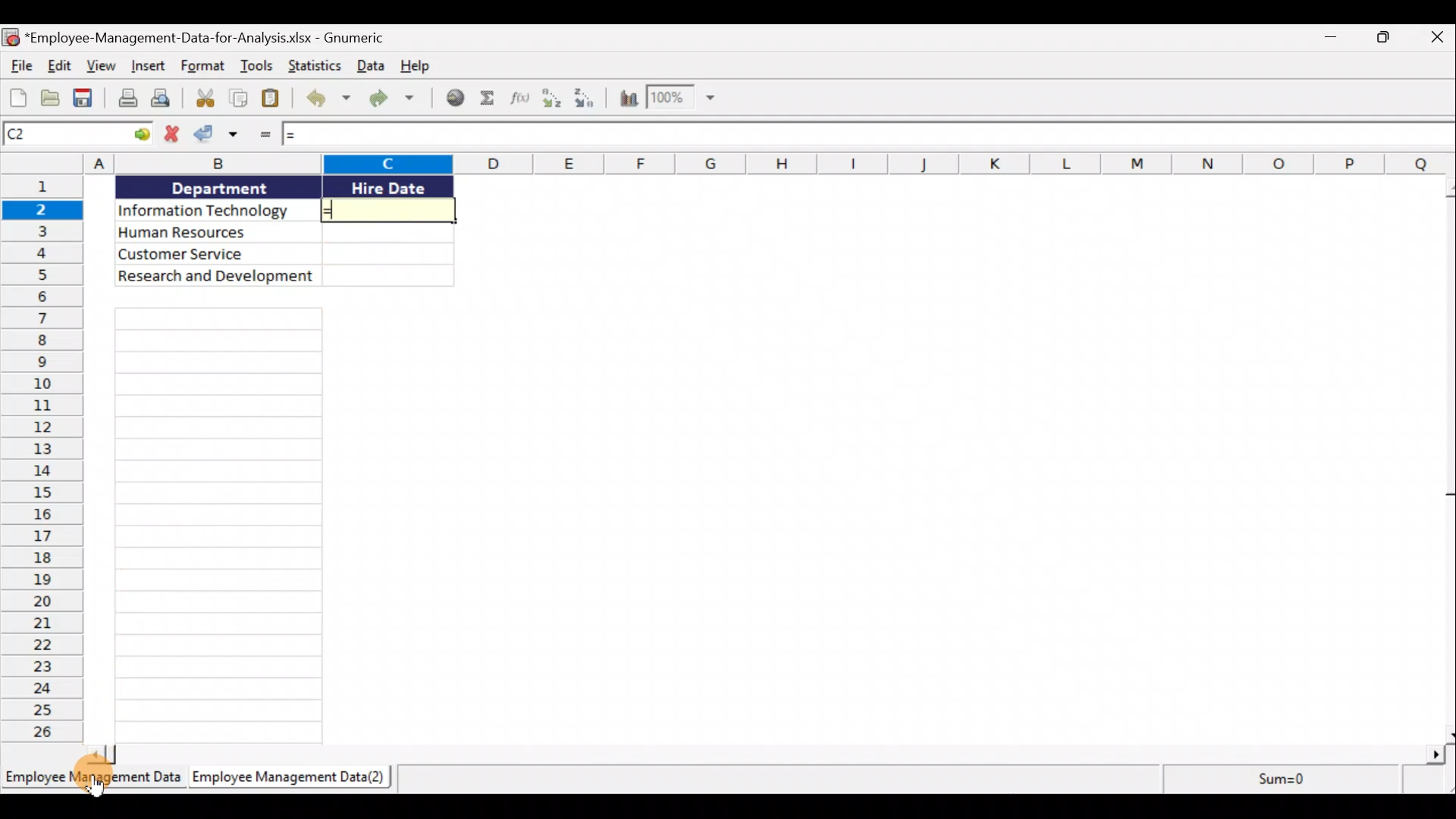  I want to click on Redo undone action, so click(398, 102).